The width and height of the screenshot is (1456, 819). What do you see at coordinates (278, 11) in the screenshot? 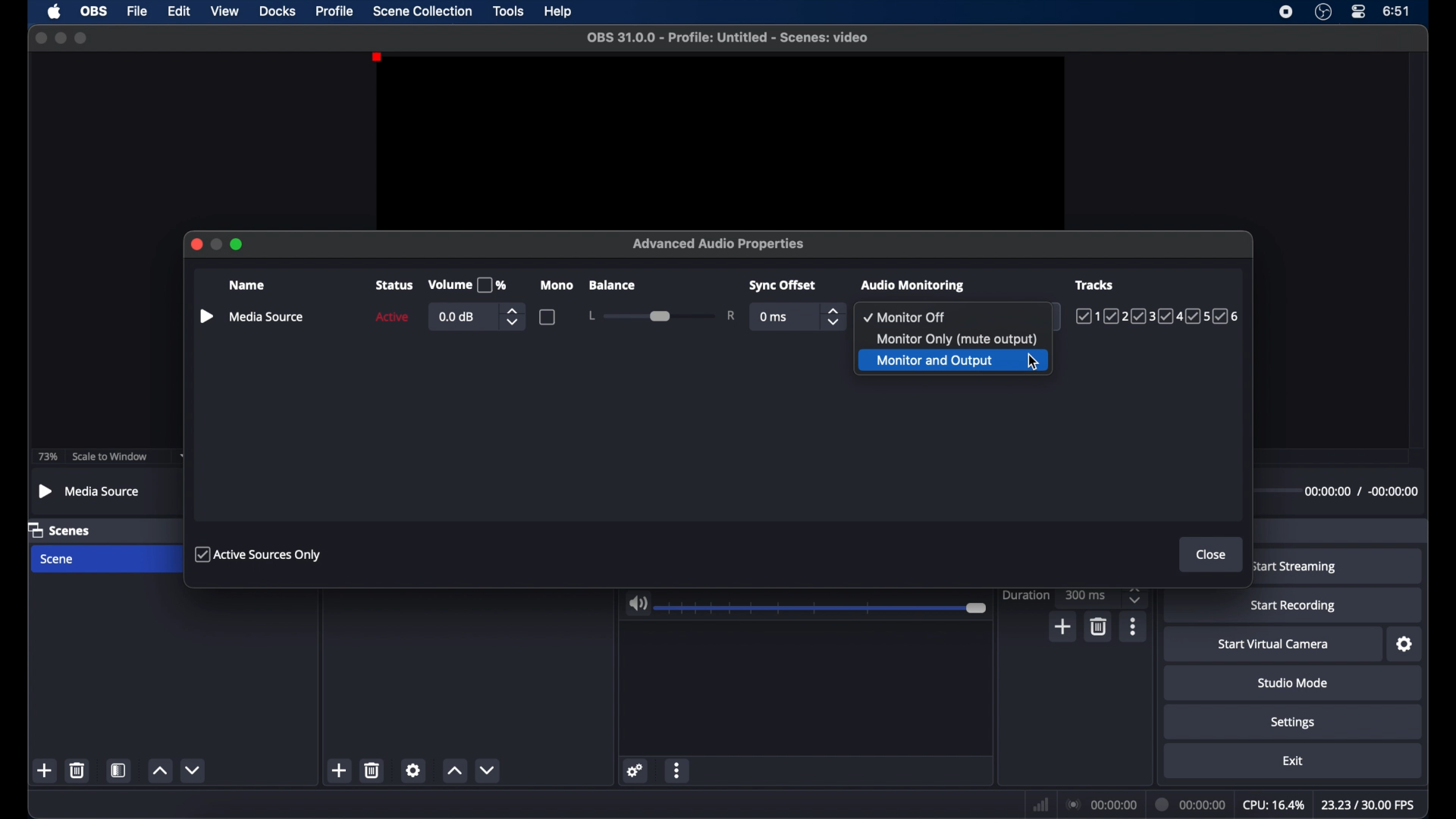
I see `docks` at bounding box center [278, 11].